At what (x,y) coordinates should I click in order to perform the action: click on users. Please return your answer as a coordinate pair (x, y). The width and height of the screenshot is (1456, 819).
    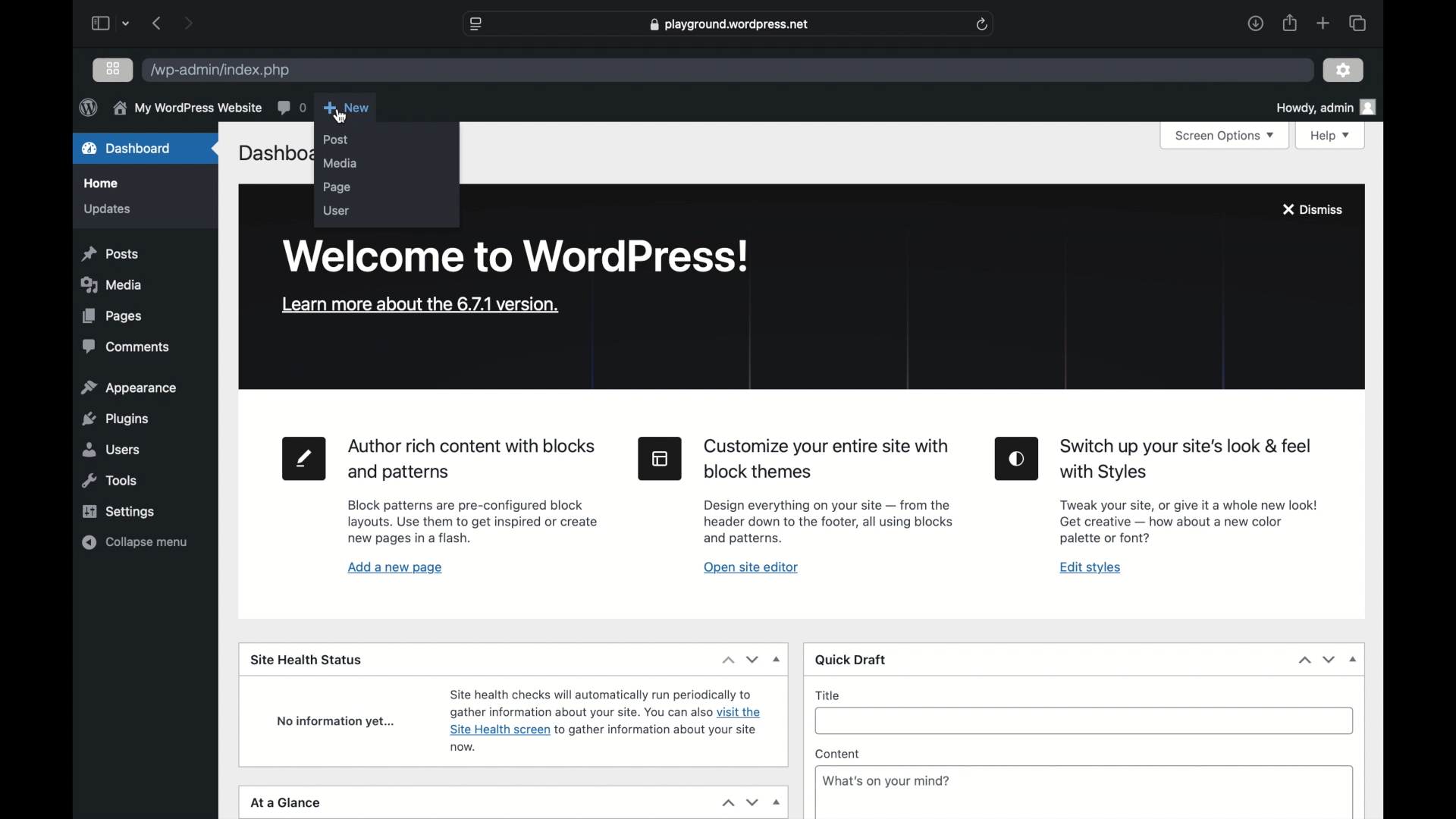
    Looking at the image, I should click on (111, 450).